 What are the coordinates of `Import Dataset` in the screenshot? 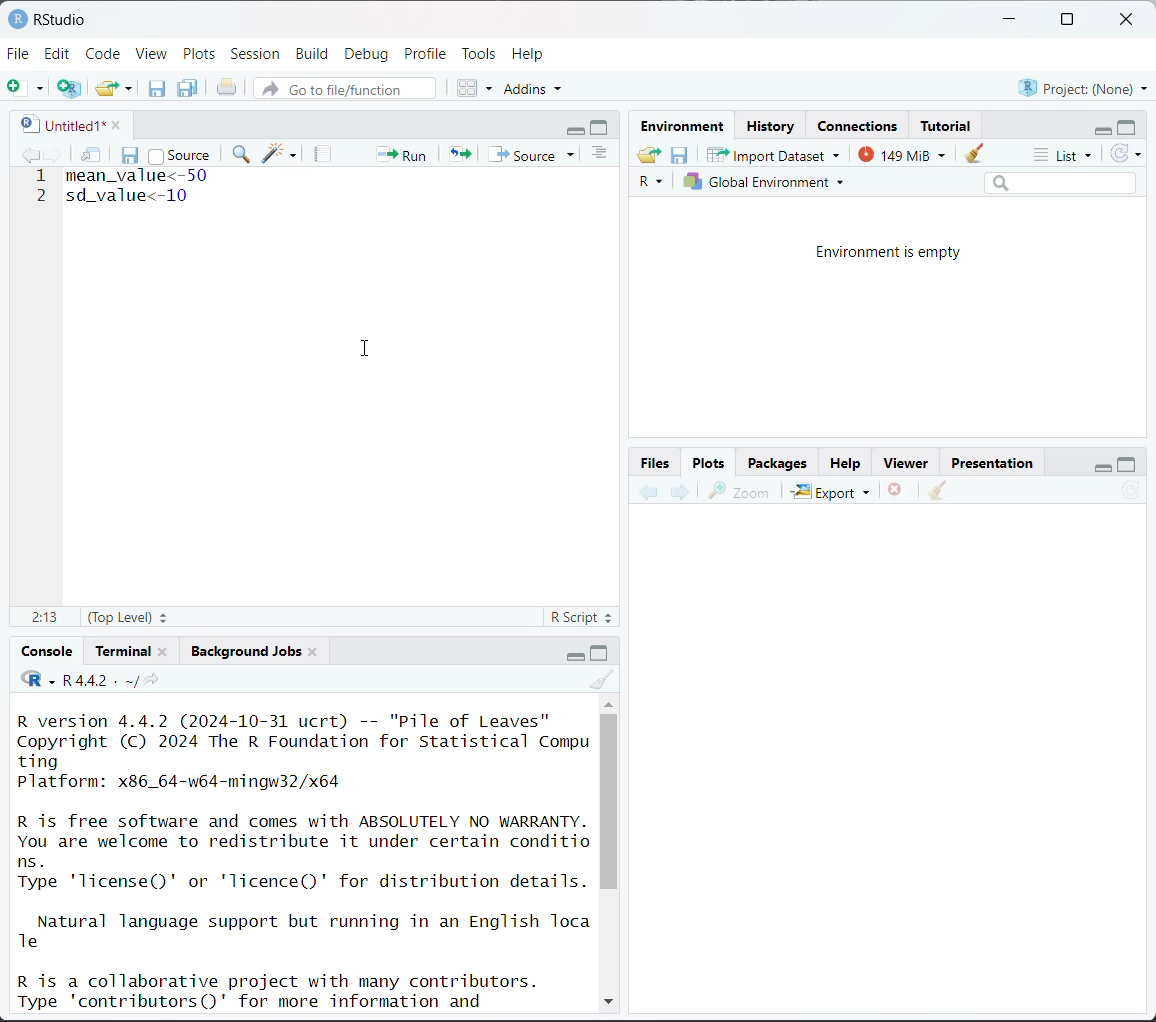 It's located at (774, 154).